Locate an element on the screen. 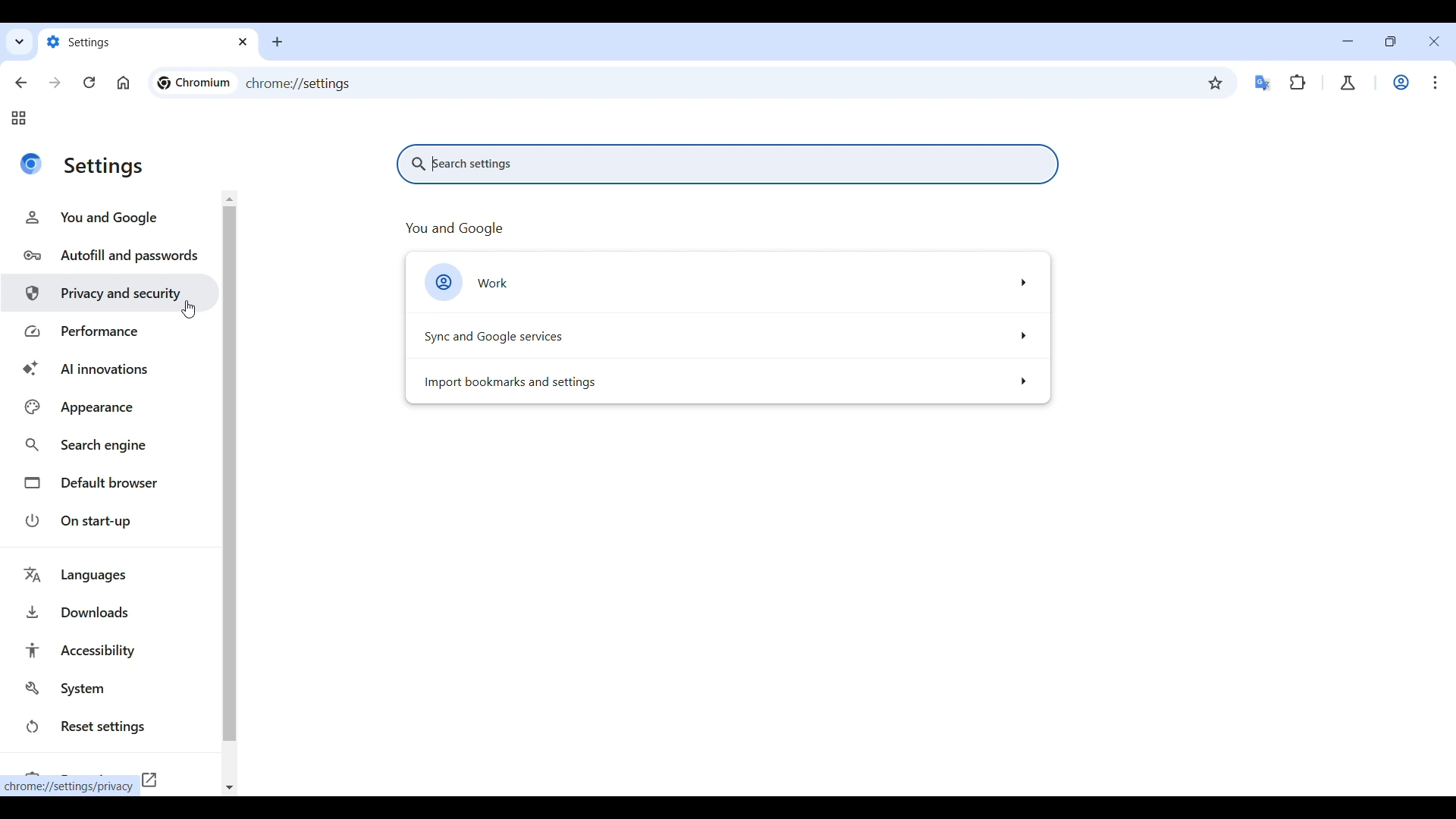 This screenshot has height=819, width=1456. Minimize is located at coordinates (1348, 41).